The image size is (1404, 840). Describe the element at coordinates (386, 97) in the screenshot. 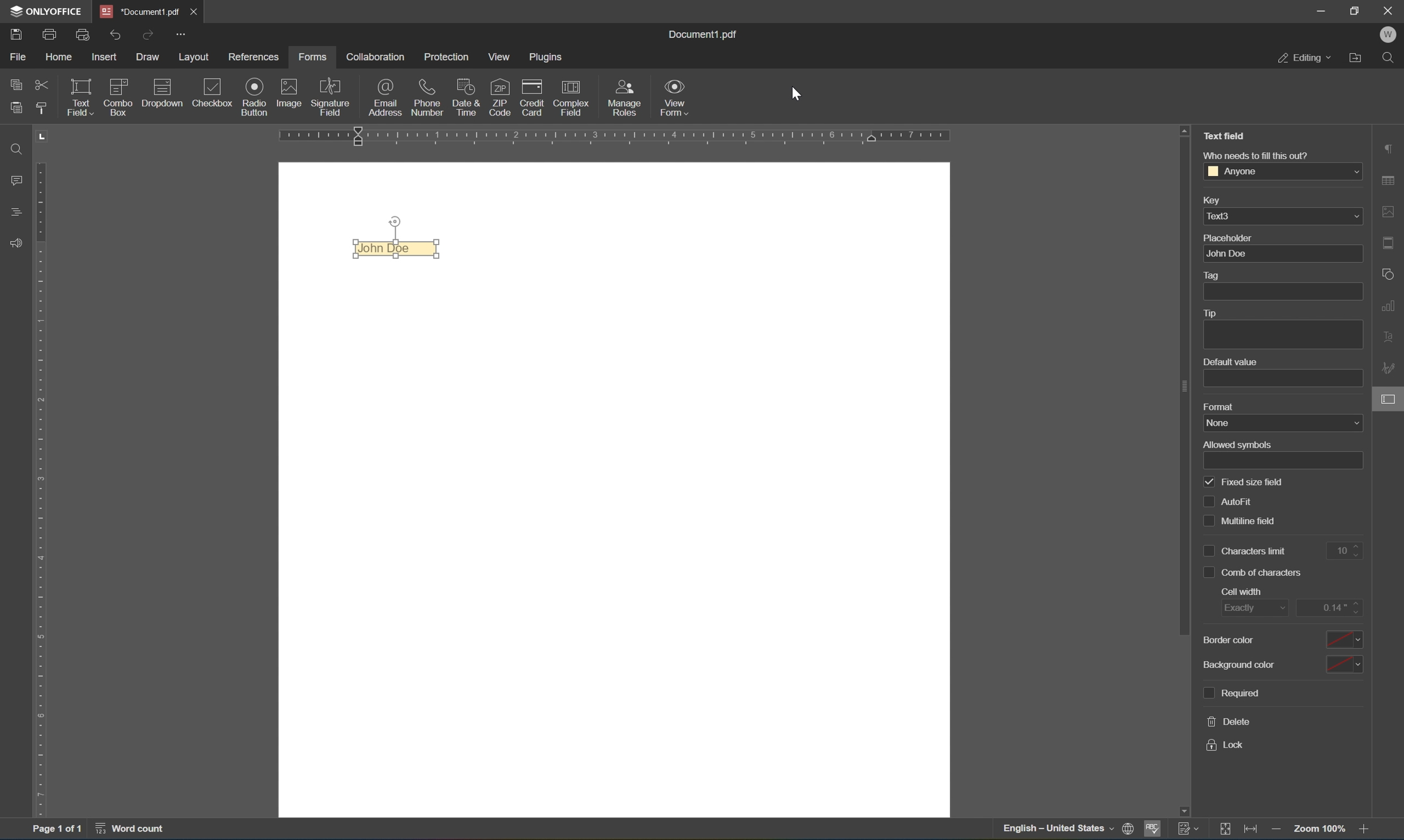

I see `email address` at that location.